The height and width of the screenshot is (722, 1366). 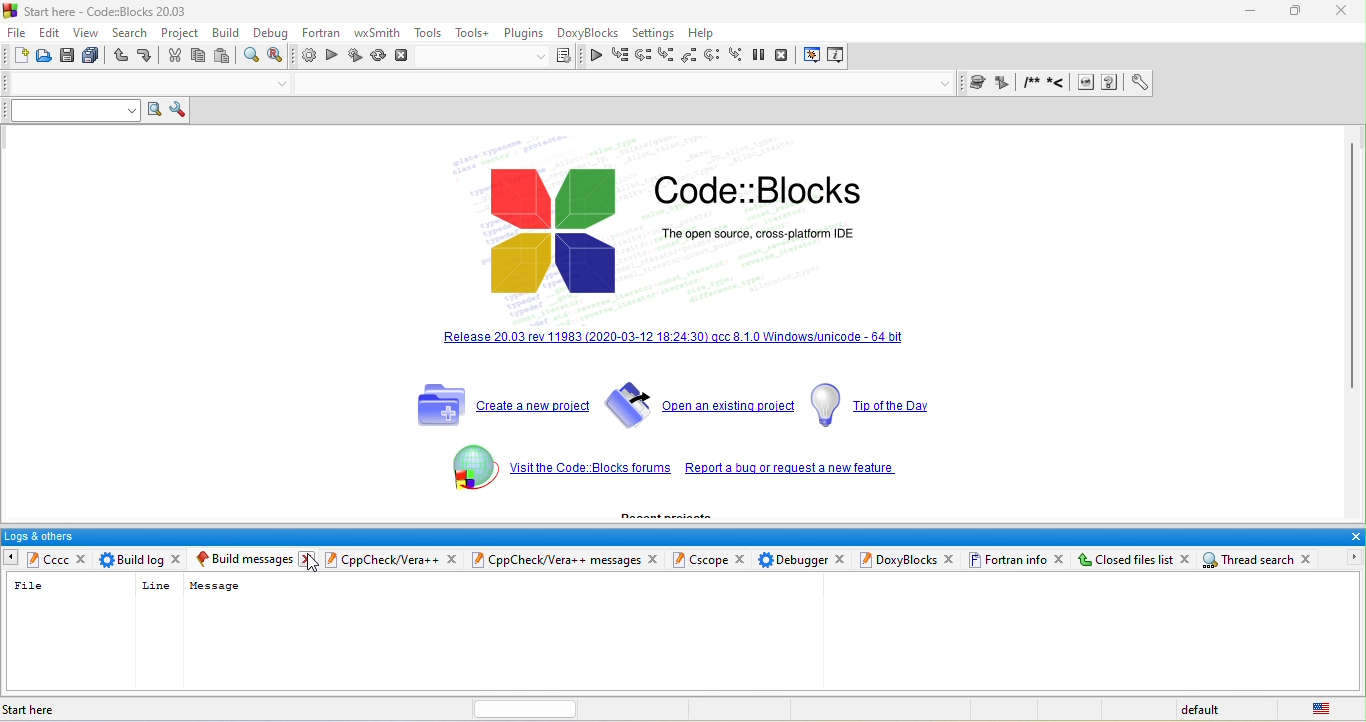 What do you see at coordinates (16, 32) in the screenshot?
I see `file` at bounding box center [16, 32].